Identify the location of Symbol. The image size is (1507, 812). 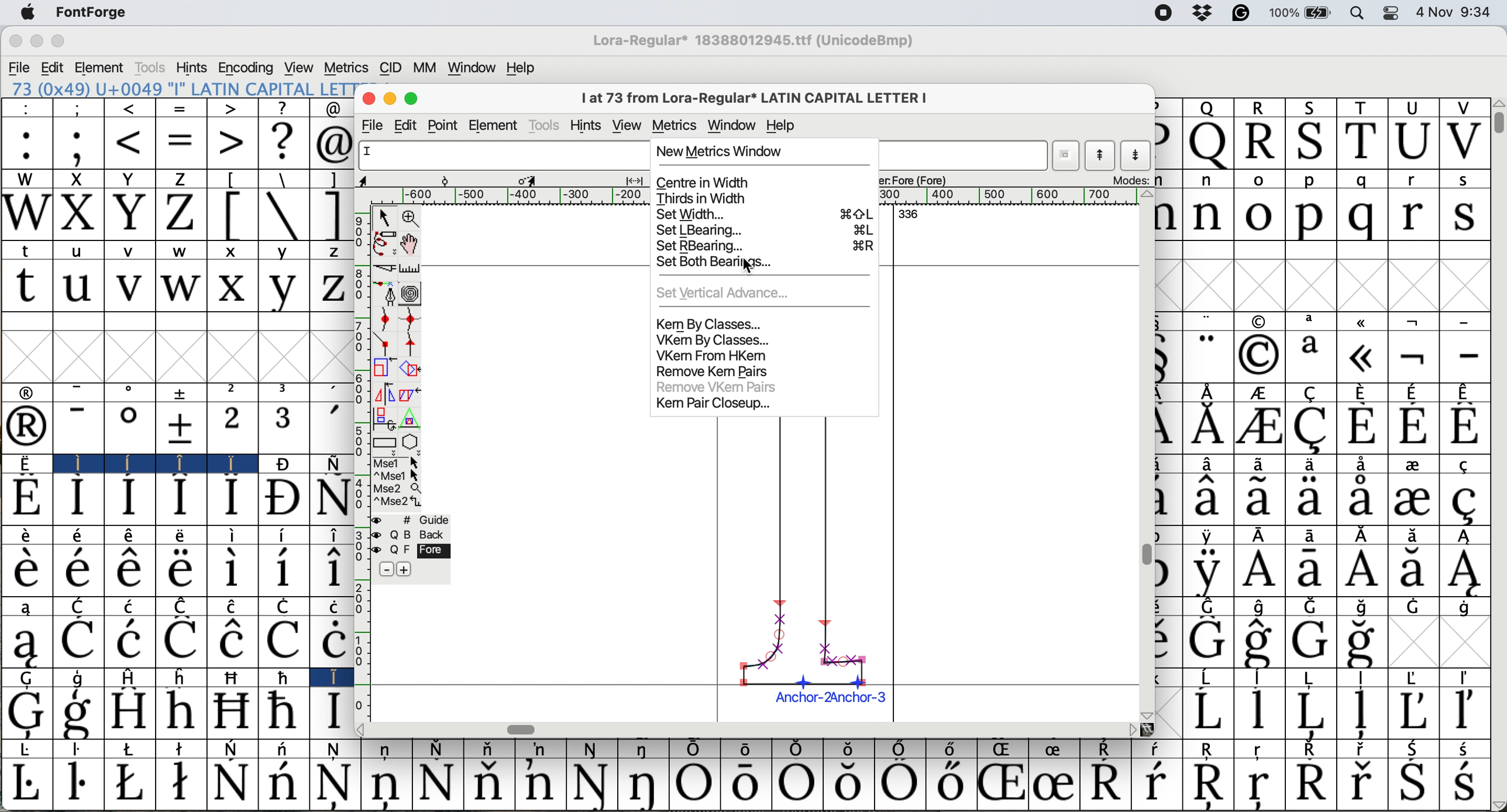
(1261, 750).